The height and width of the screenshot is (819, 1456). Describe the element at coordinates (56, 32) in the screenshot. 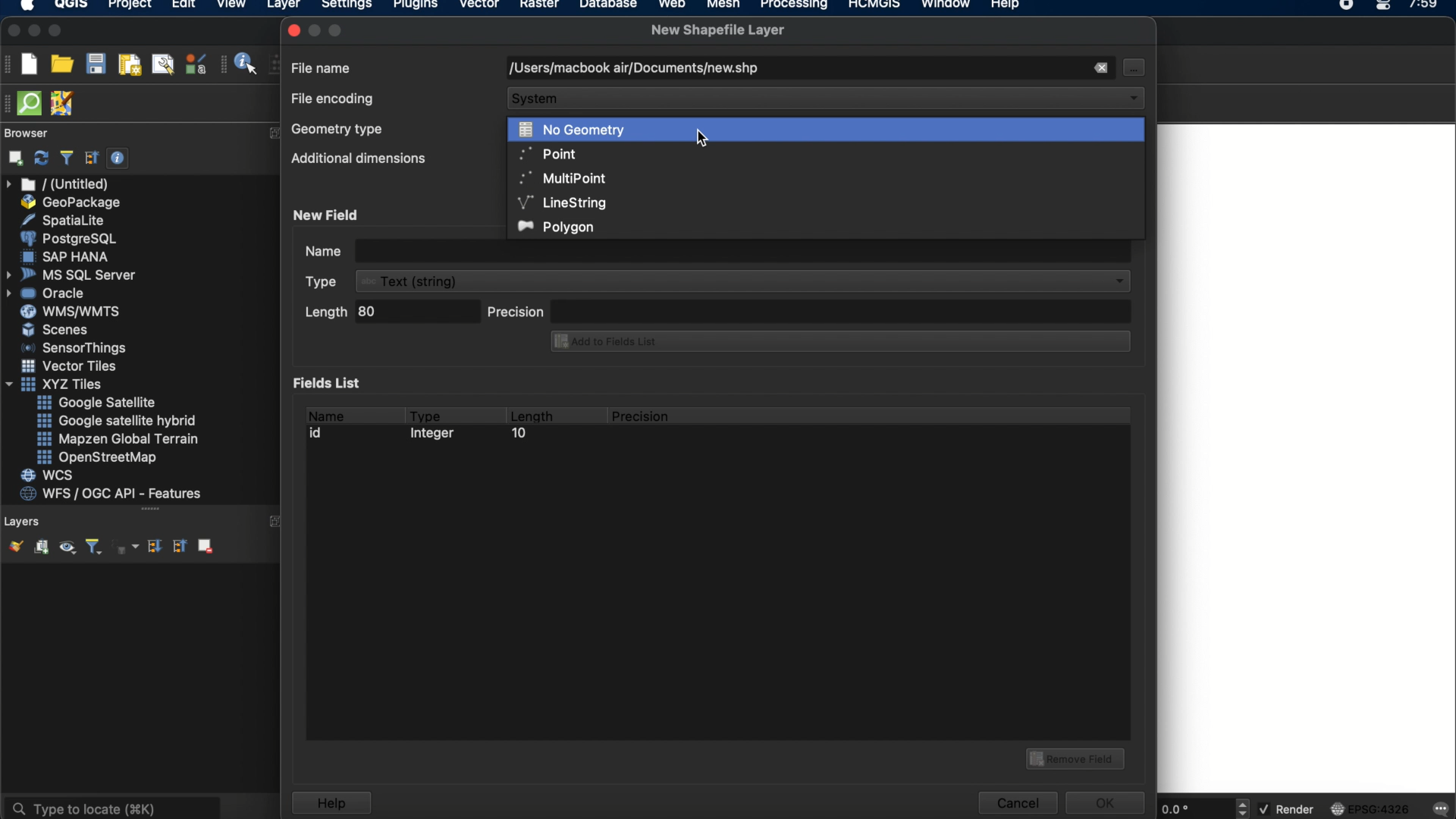

I see `maximize` at that location.